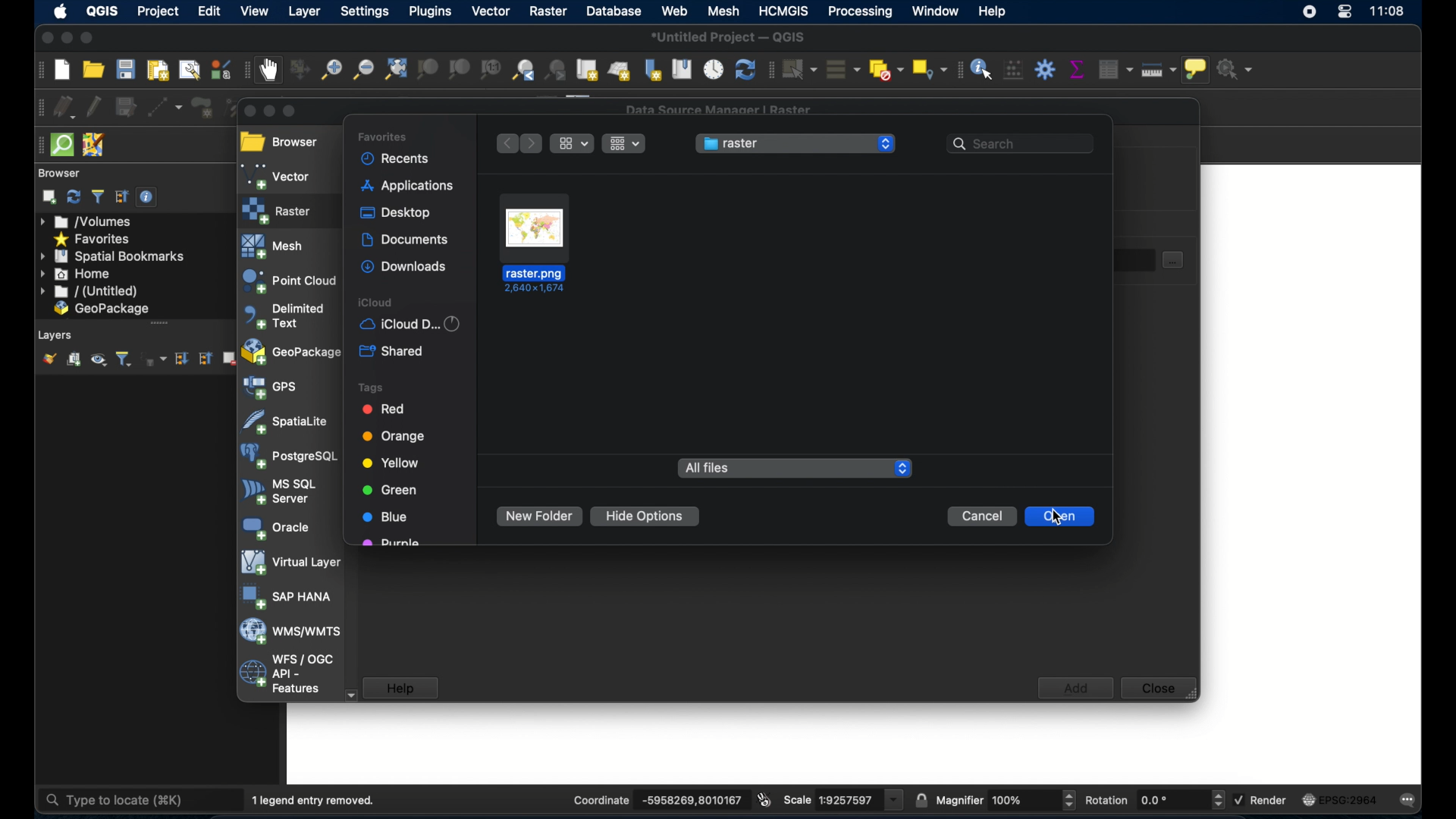 The image size is (1456, 819). I want to click on 1 legend entry removed, so click(318, 799).